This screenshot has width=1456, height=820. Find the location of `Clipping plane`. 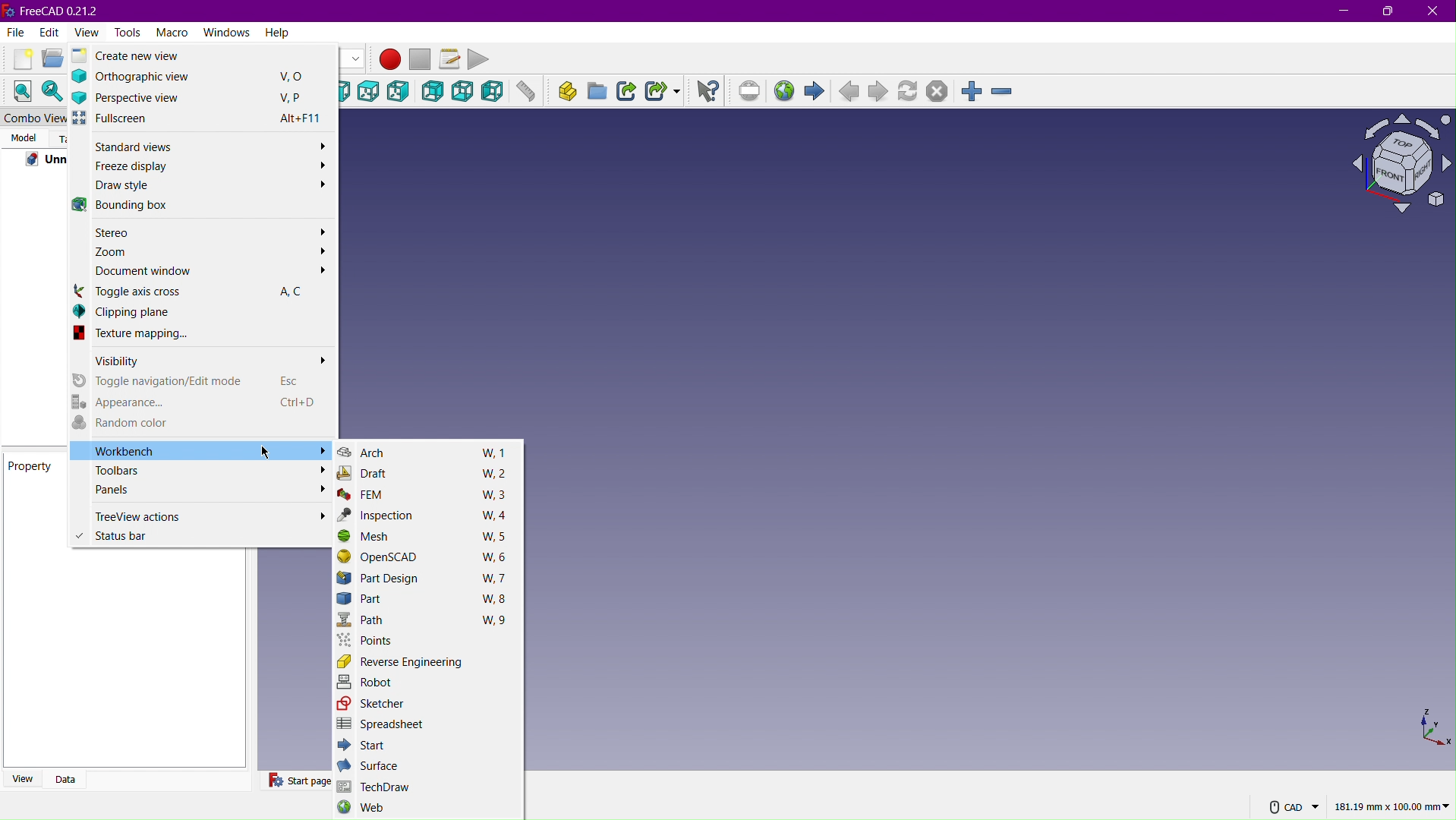

Clipping plane is located at coordinates (137, 313).